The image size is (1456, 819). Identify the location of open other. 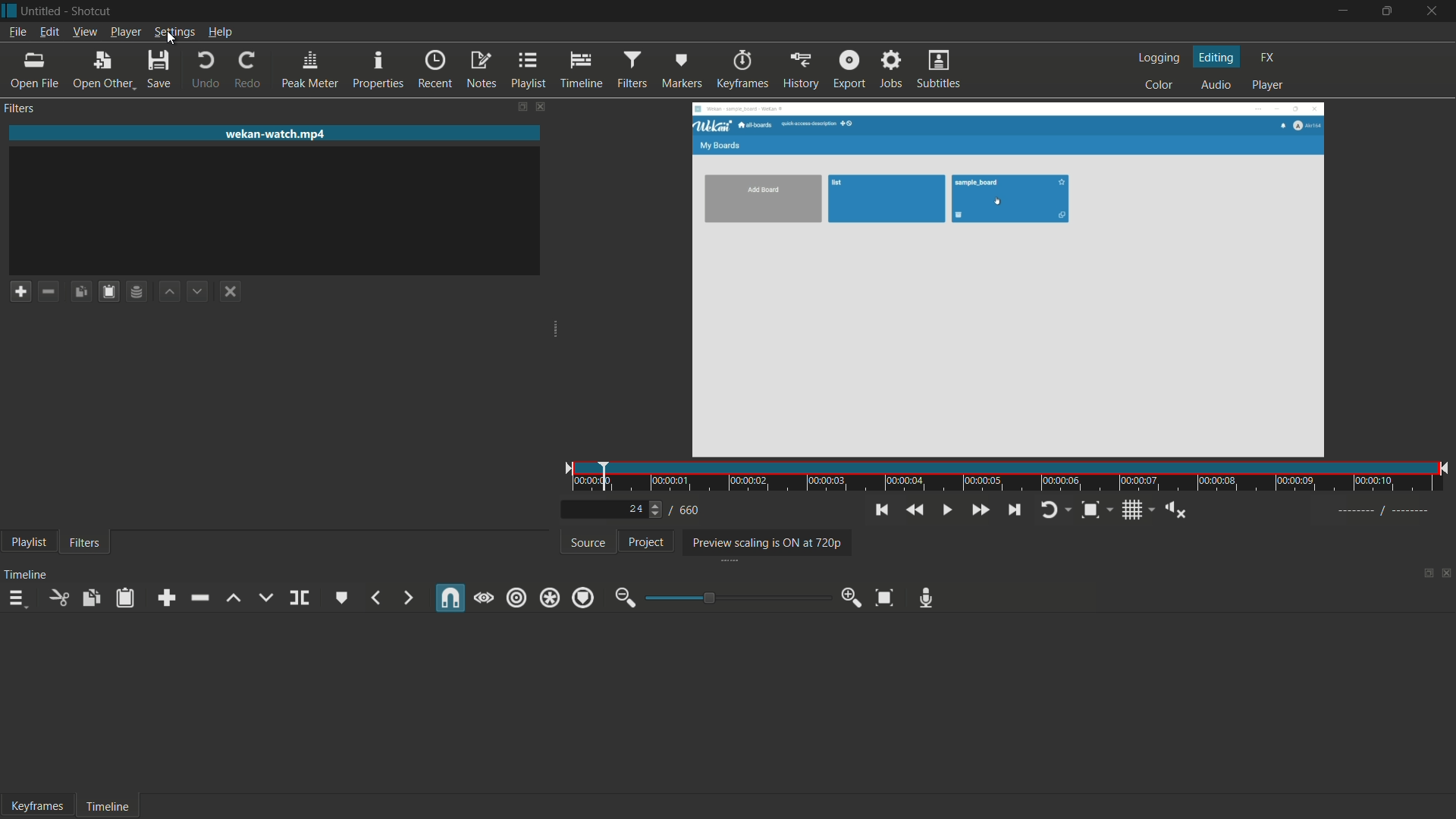
(102, 69).